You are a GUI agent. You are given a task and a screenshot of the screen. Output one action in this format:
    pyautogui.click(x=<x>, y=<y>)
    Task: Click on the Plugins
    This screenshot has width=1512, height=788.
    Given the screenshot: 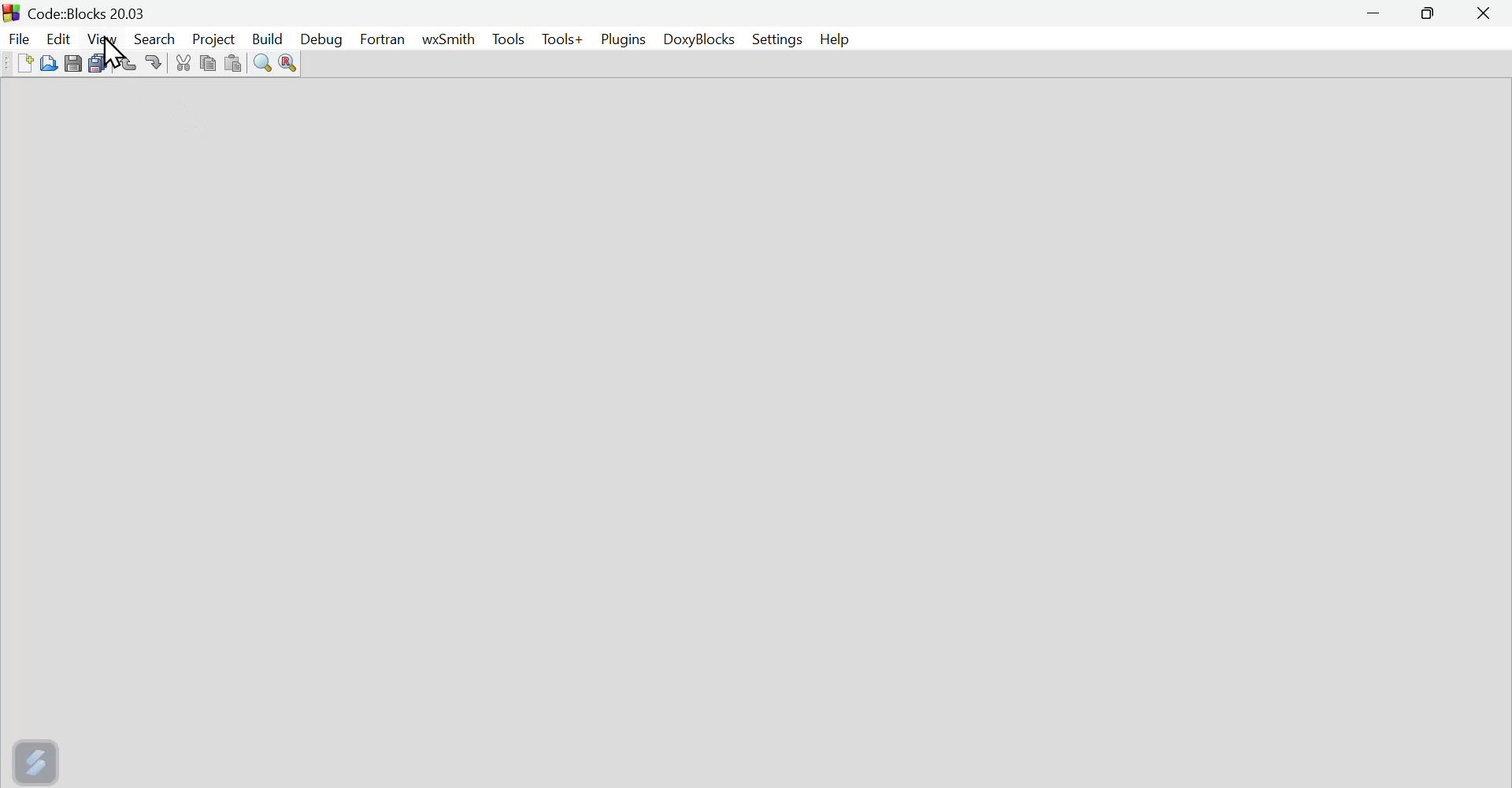 What is the action you would take?
    pyautogui.click(x=621, y=39)
    